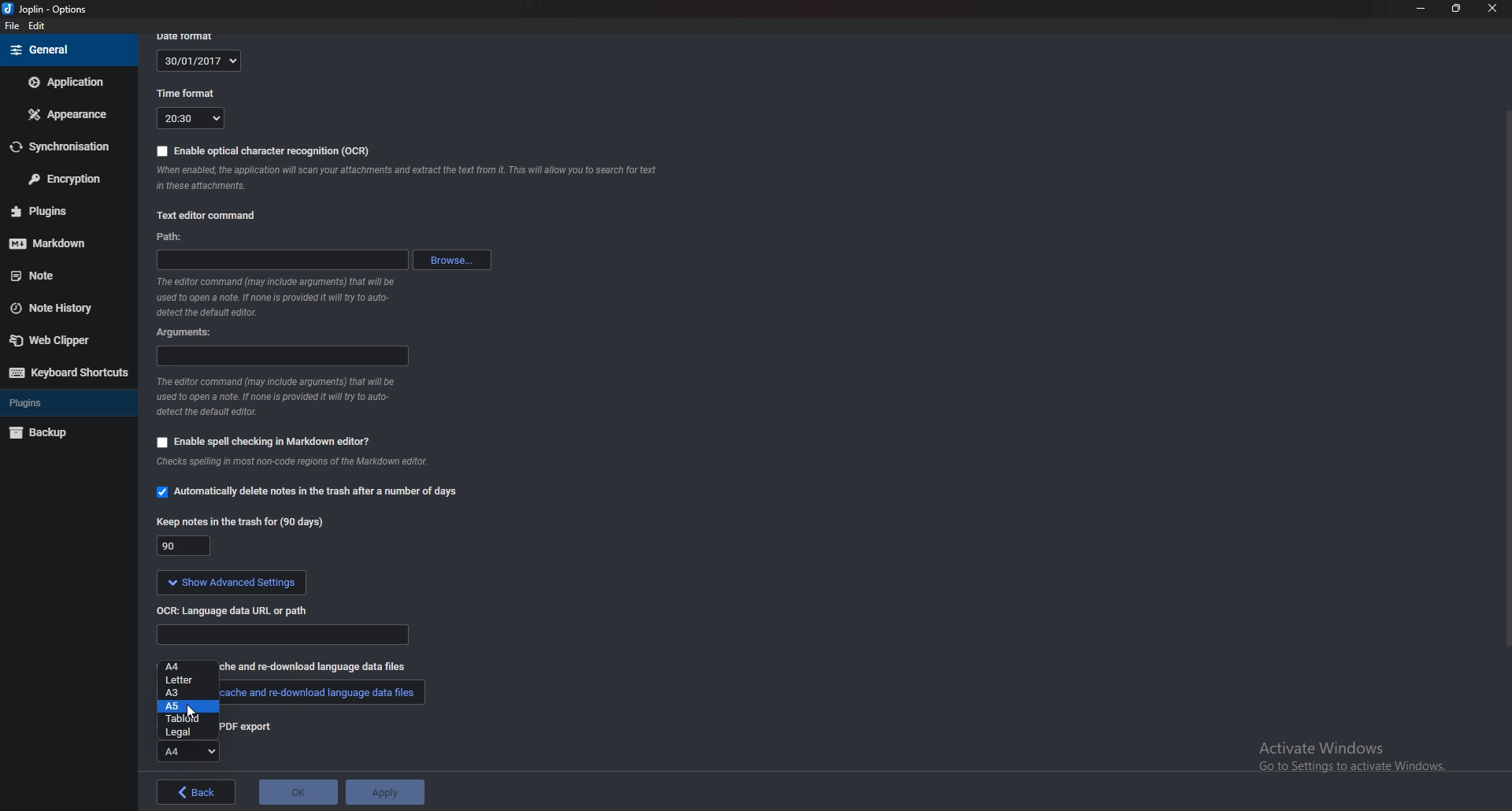 This screenshot has width=1512, height=811. What do you see at coordinates (264, 442) in the screenshot?
I see `Enable spell checking` at bounding box center [264, 442].